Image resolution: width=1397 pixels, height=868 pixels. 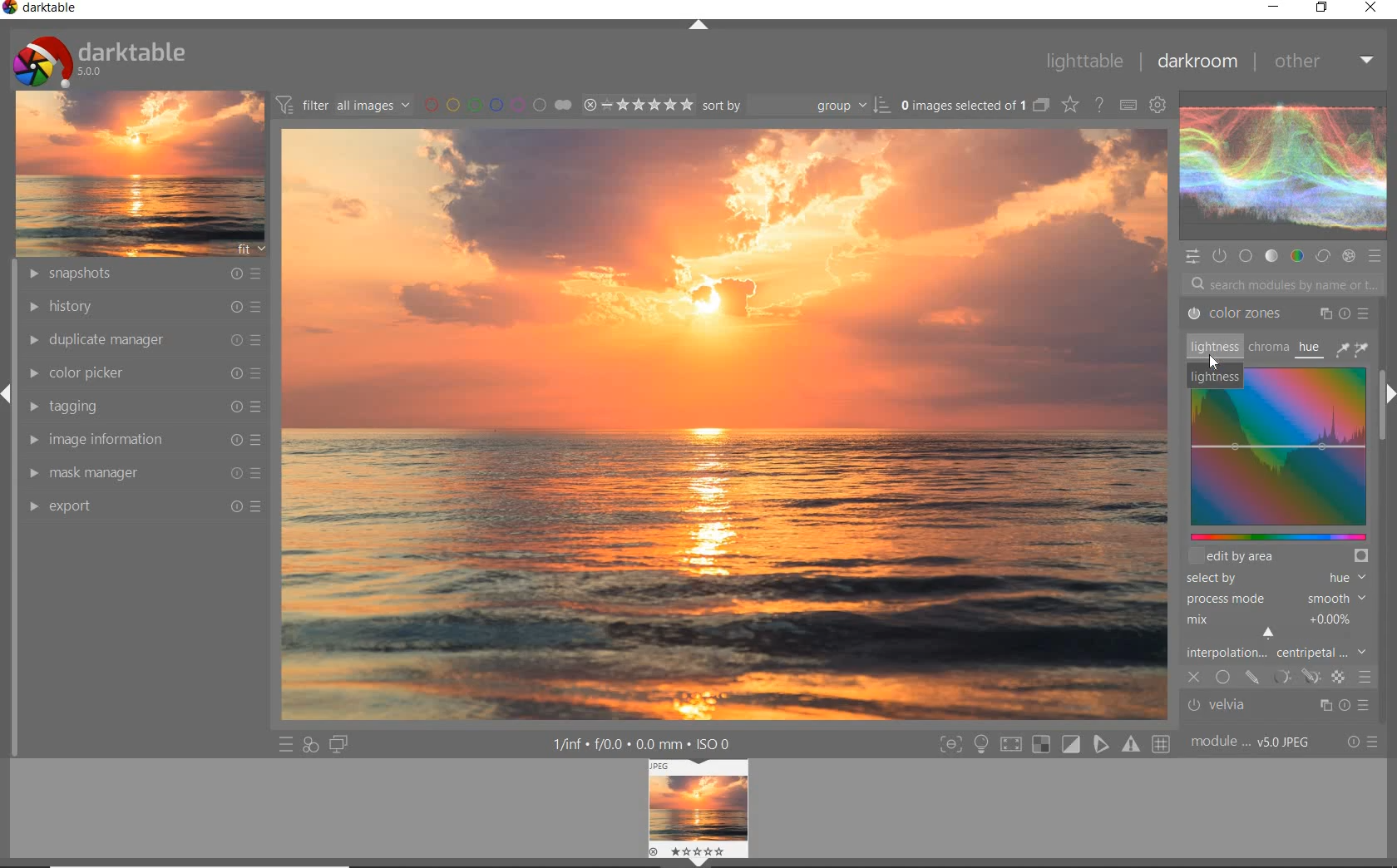 I want to click on COLLAPSE GROUPED IMAGES, so click(x=1040, y=104).